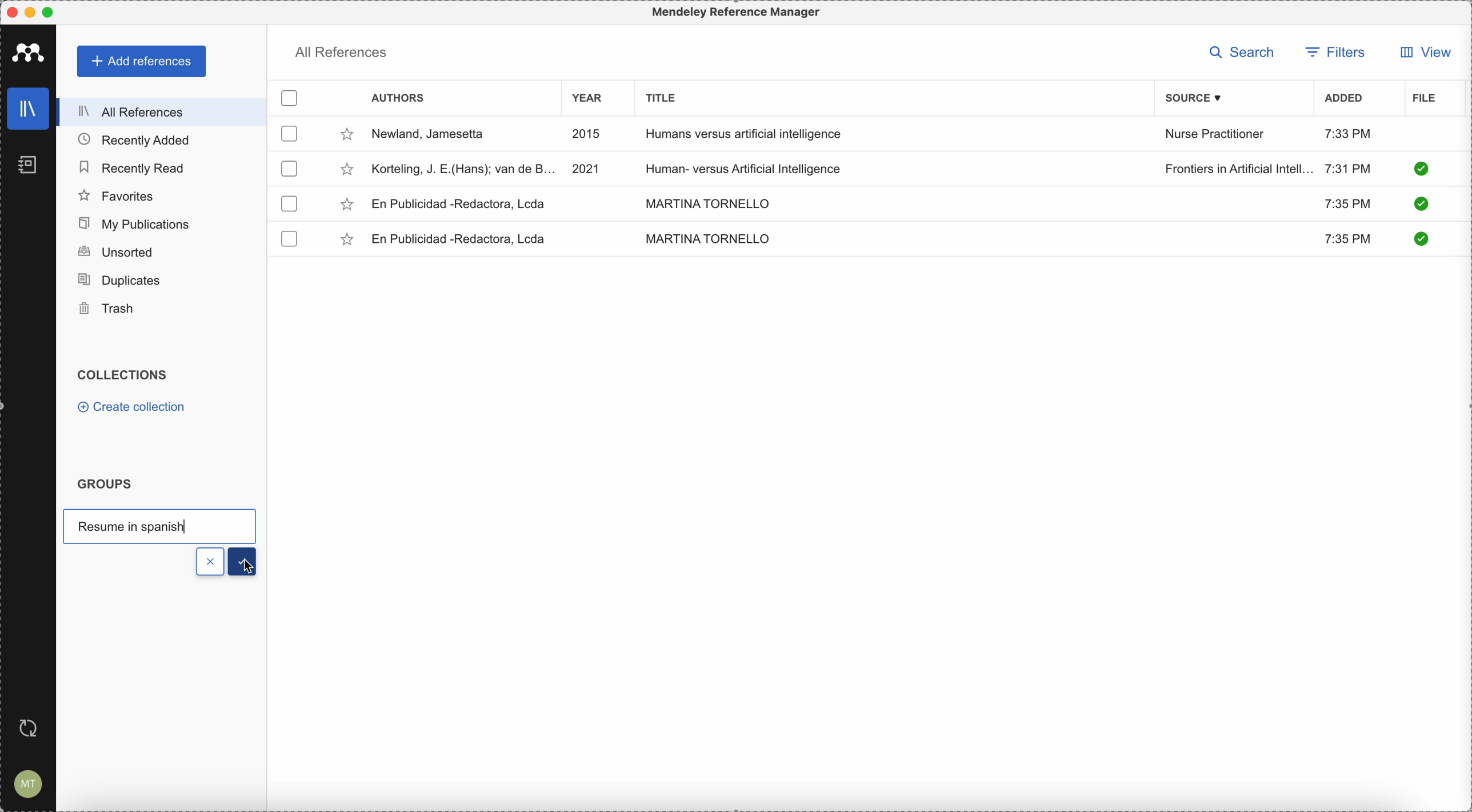 The width and height of the screenshot is (1472, 812). What do you see at coordinates (658, 97) in the screenshot?
I see `title` at bounding box center [658, 97].